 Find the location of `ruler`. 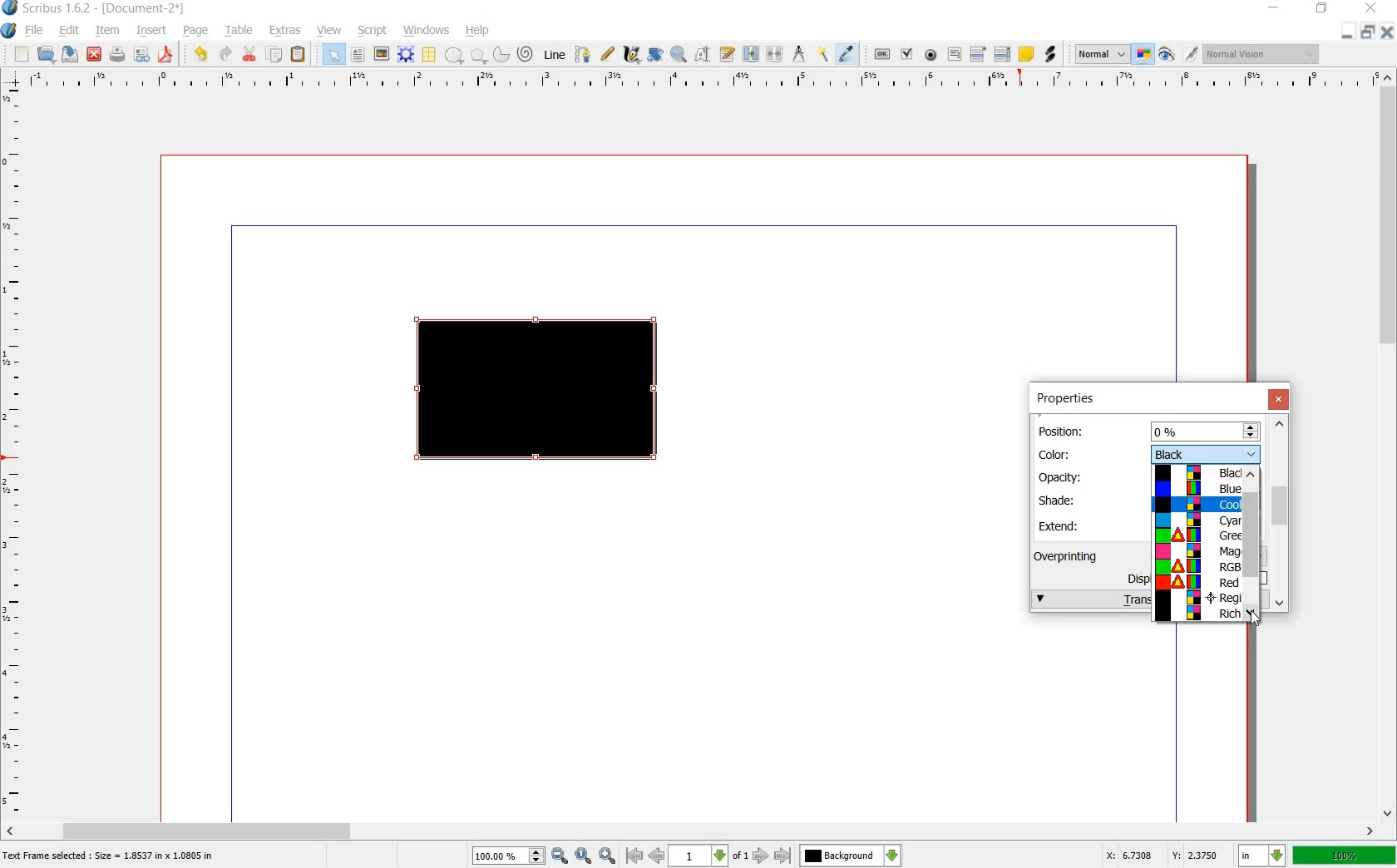

ruler is located at coordinates (696, 81).